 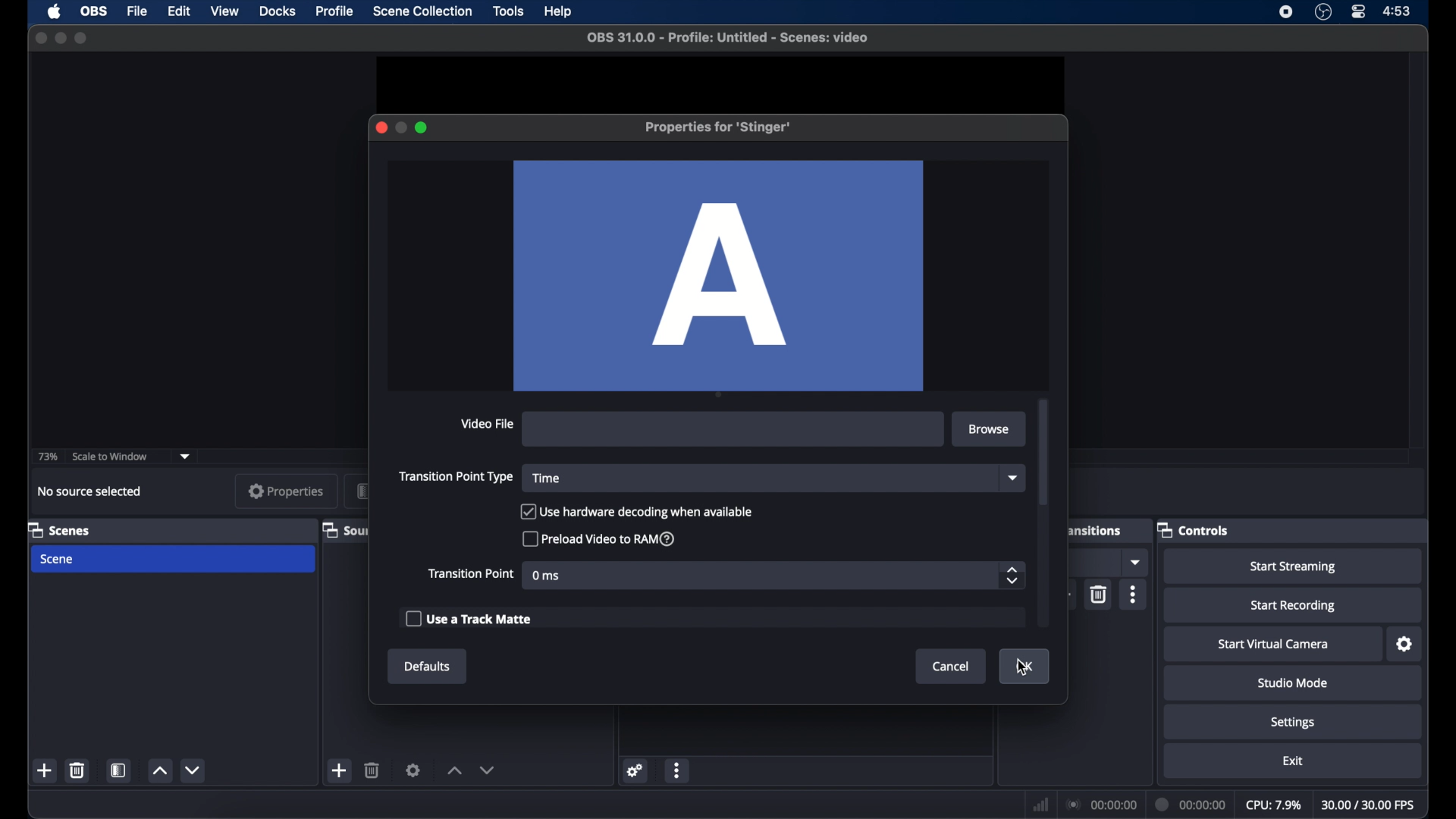 What do you see at coordinates (337, 770) in the screenshot?
I see `add` at bounding box center [337, 770].